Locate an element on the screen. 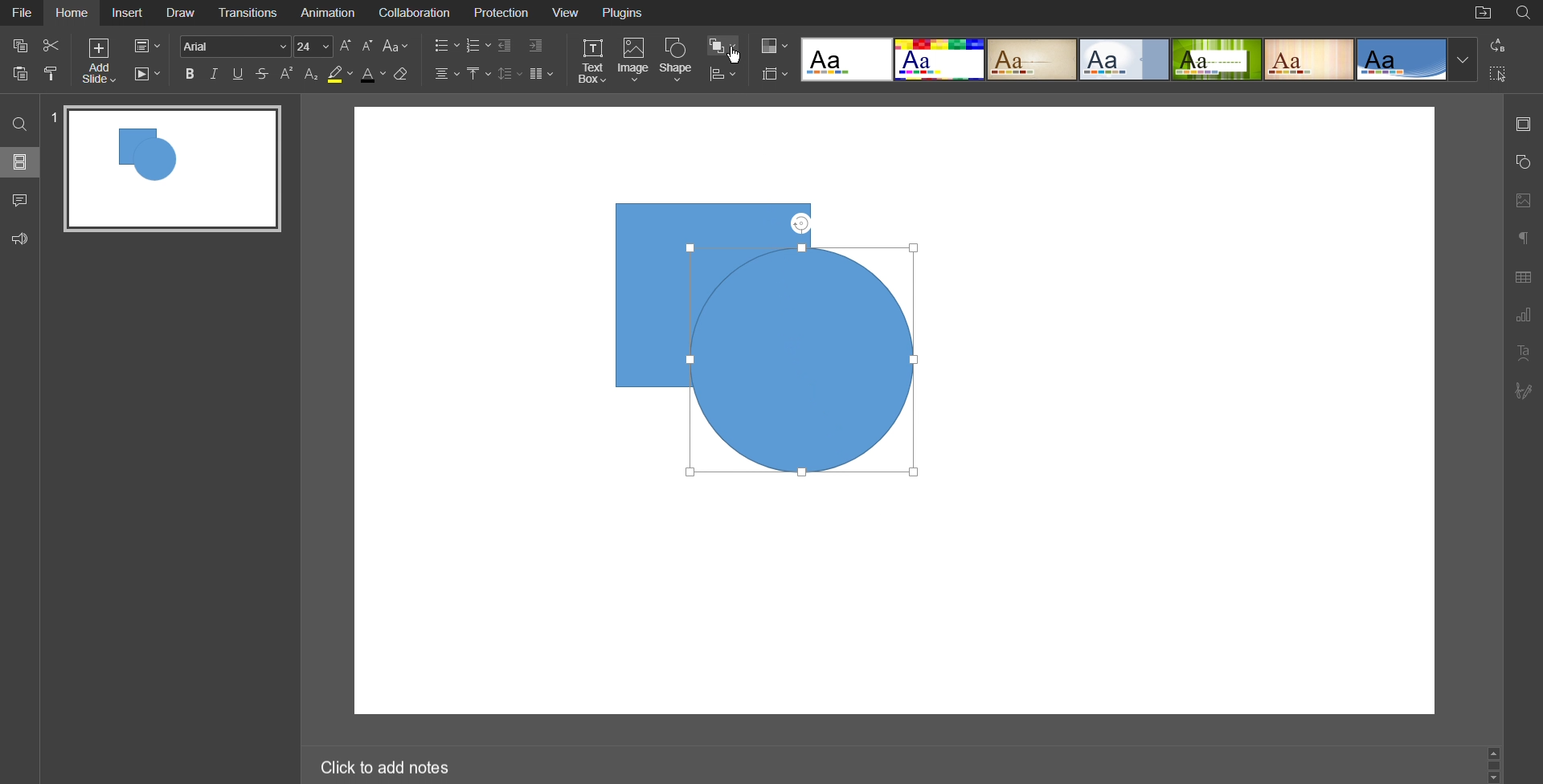 The image size is (1543, 784). Columns is located at coordinates (539, 72).